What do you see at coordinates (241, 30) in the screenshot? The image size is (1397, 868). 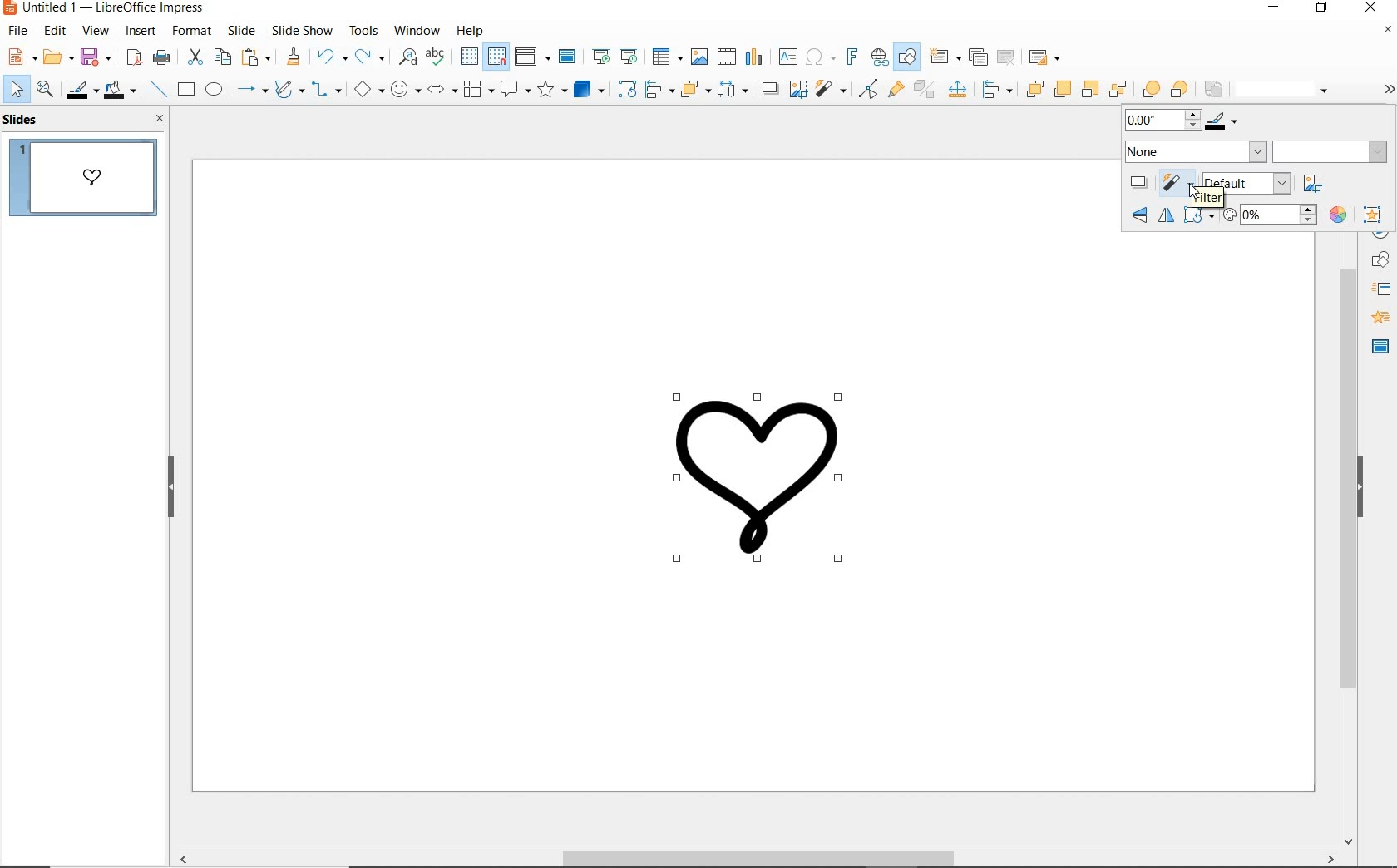 I see `slide` at bounding box center [241, 30].